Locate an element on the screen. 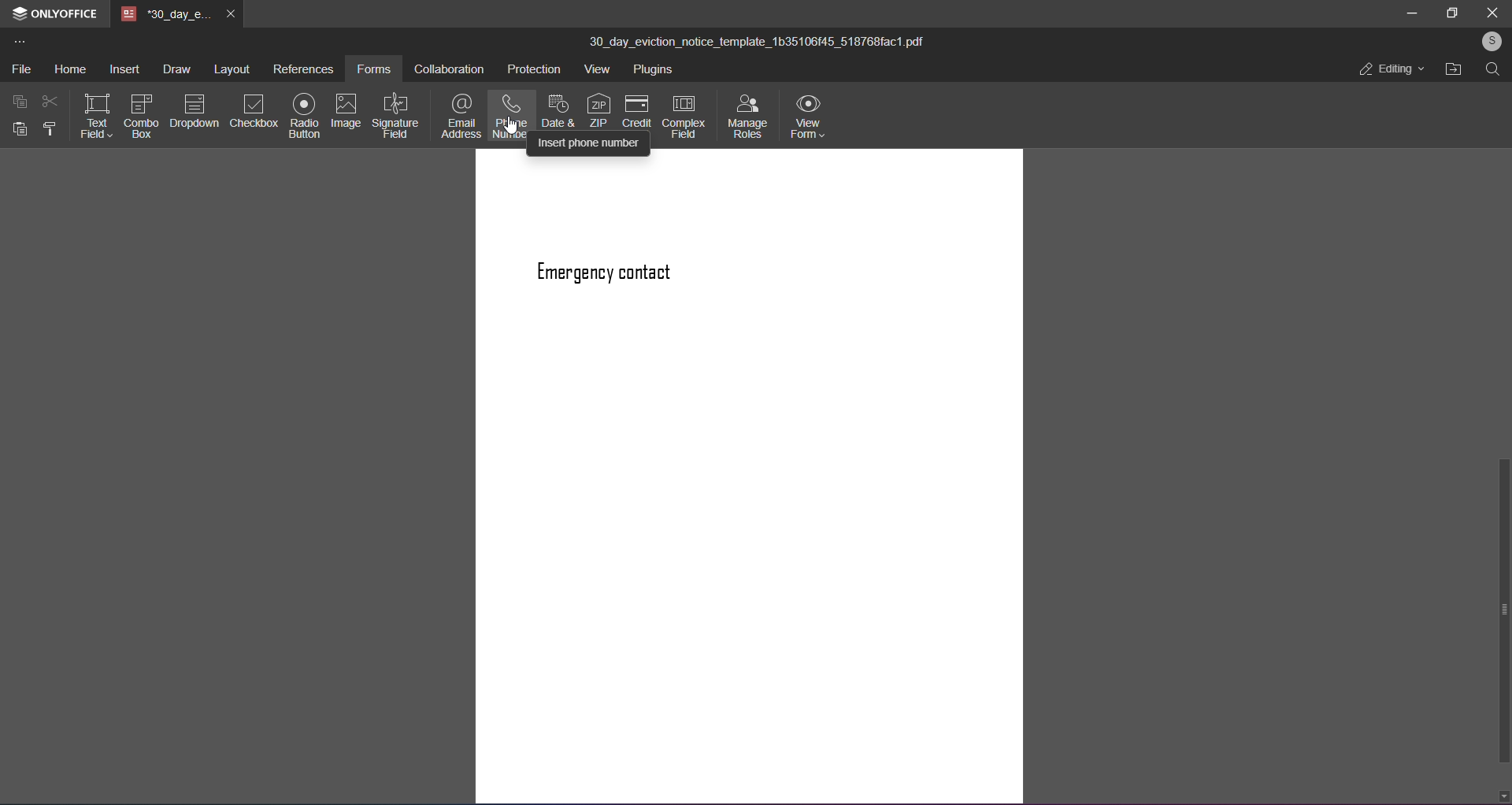 This screenshot has width=1512, height=805. scroll bar is located at coordinates (1502, 611).